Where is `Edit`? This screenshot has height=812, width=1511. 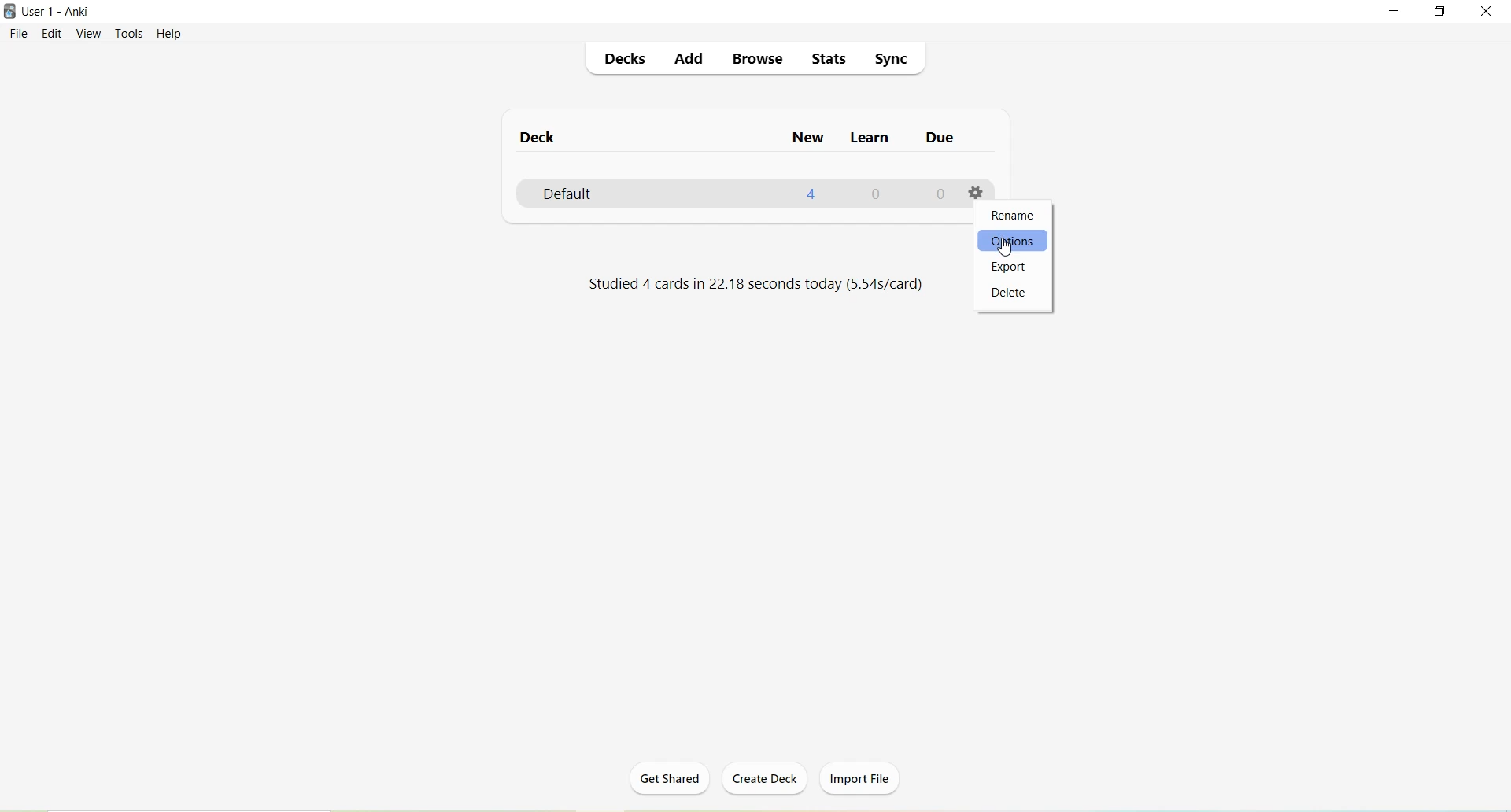 Edit is located at coordinates (53, 33).